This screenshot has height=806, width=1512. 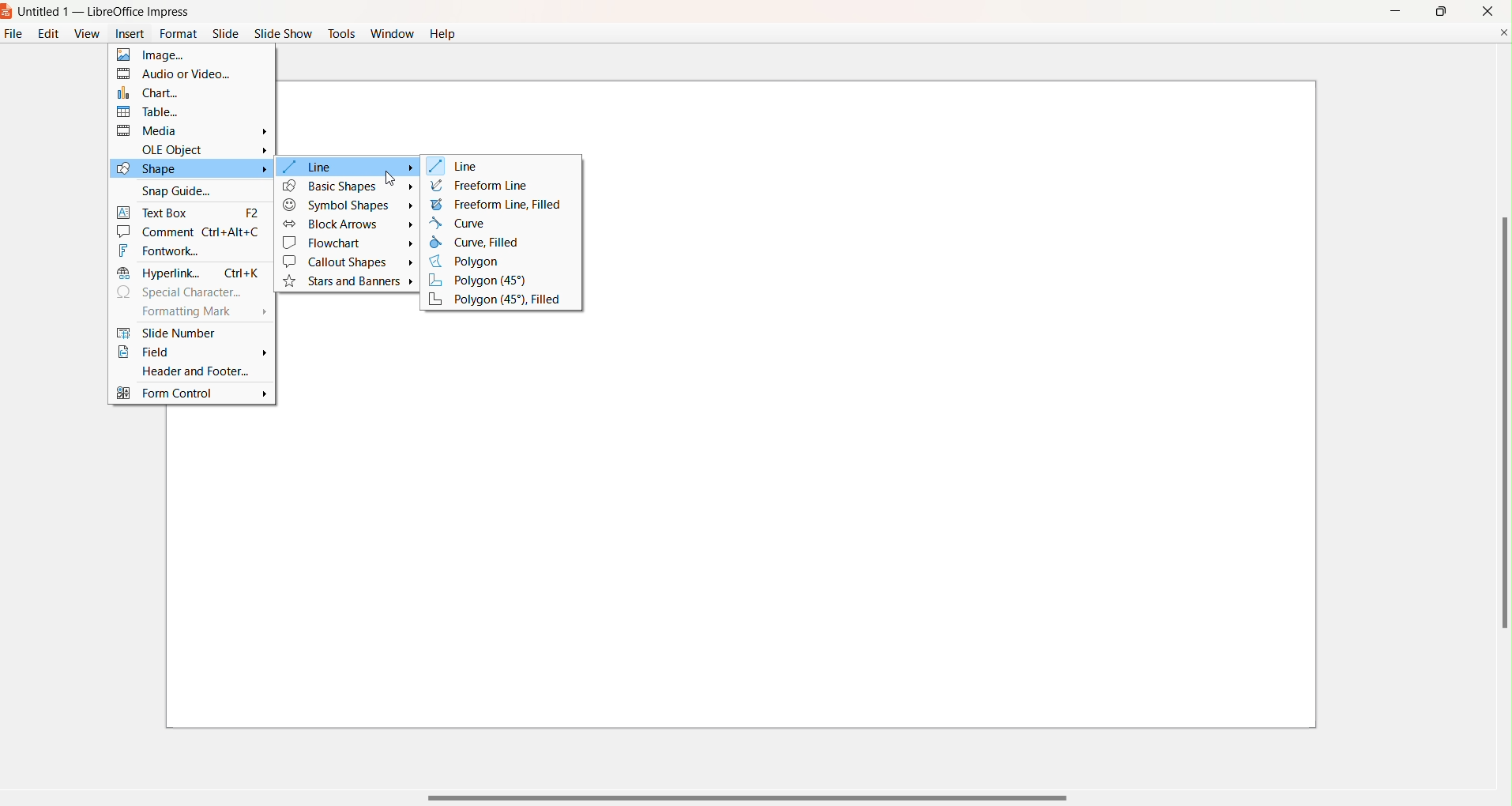 What do you see at coordinates (181, 55) in the screenshot?
I see `Image` at bounding box center [181, 55].